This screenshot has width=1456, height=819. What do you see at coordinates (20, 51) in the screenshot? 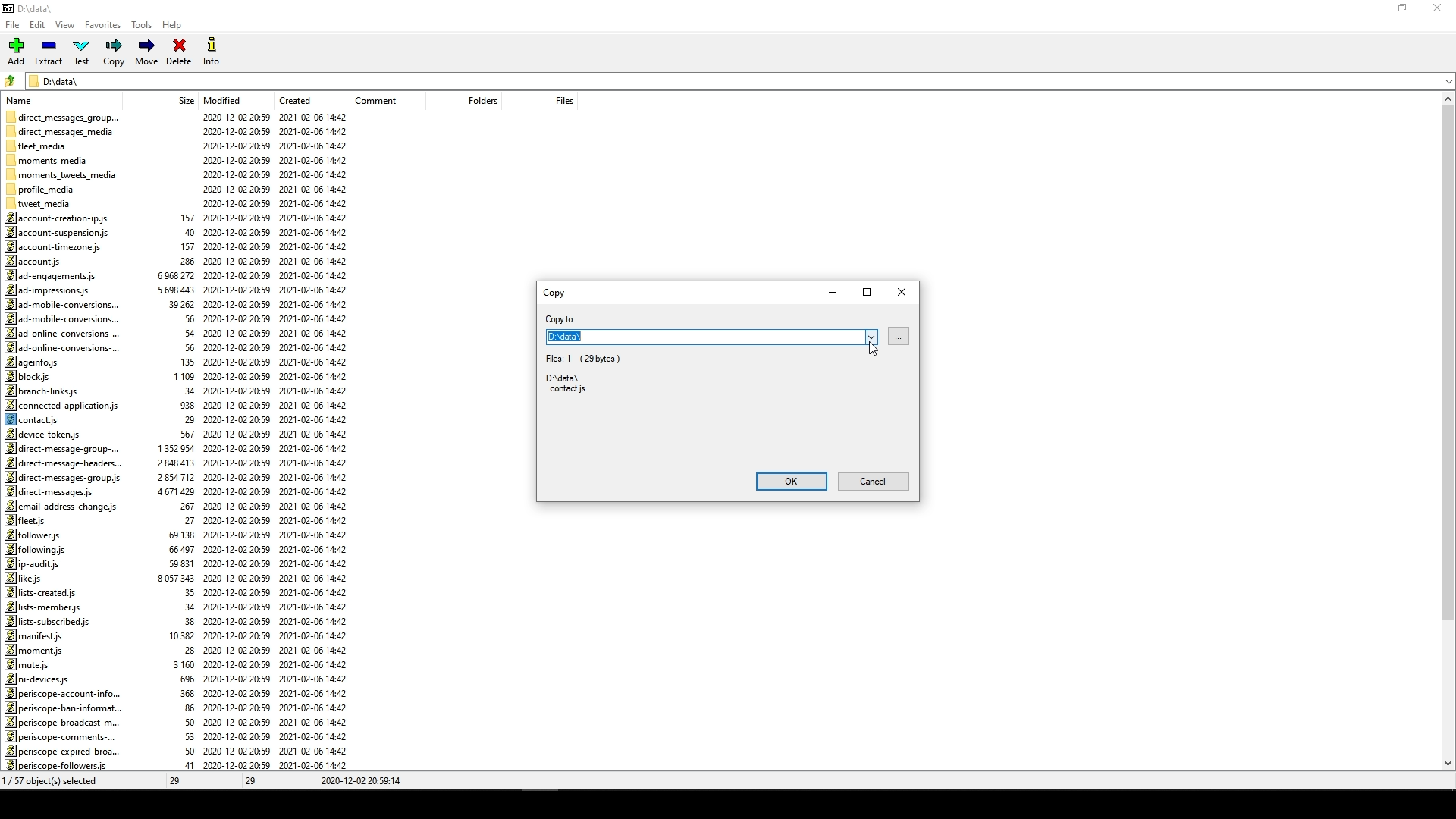
I see `Add` at bounding box center [20, 51].